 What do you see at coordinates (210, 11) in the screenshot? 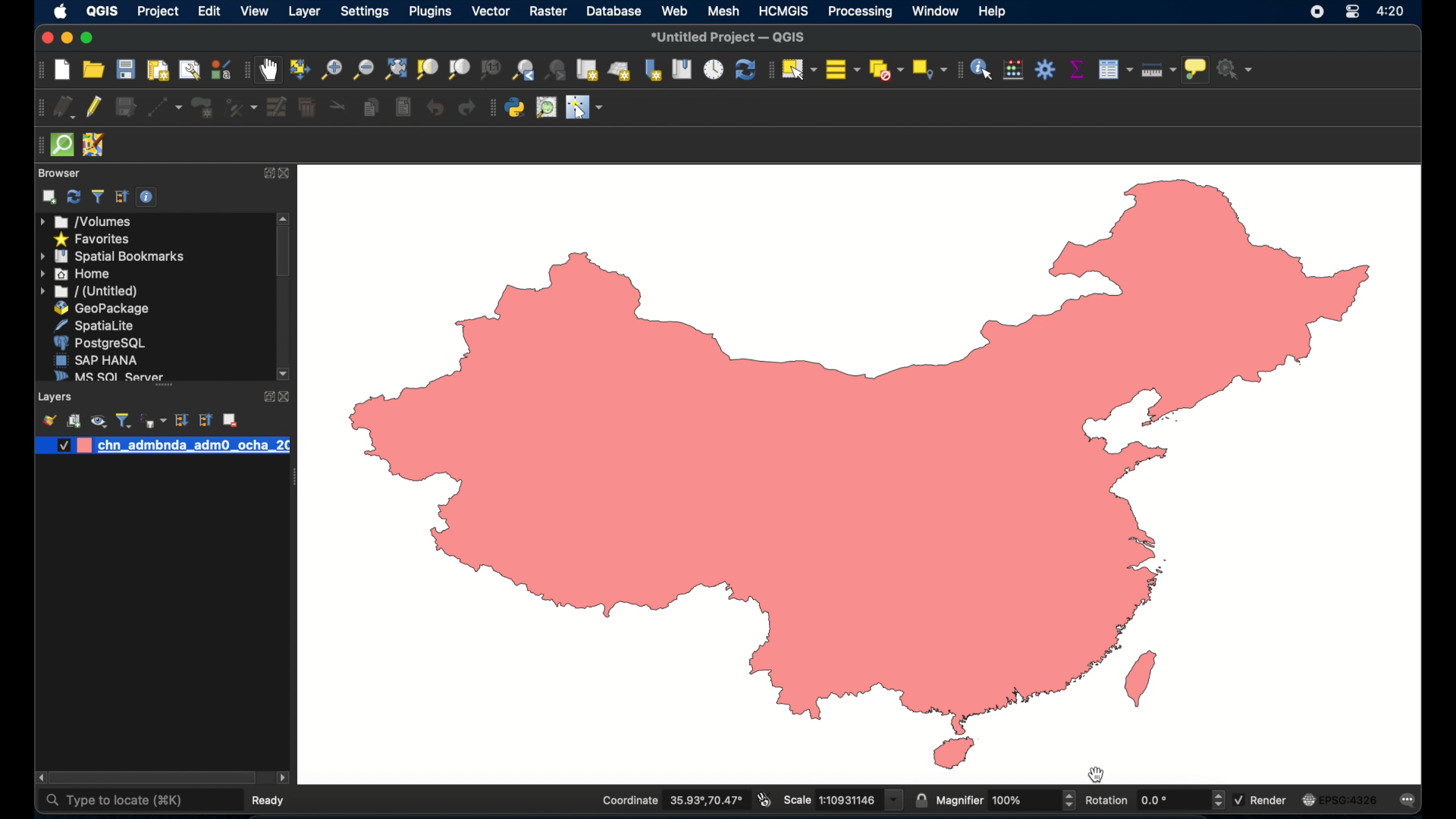
I see `edit` at bounding box center [210, 11].